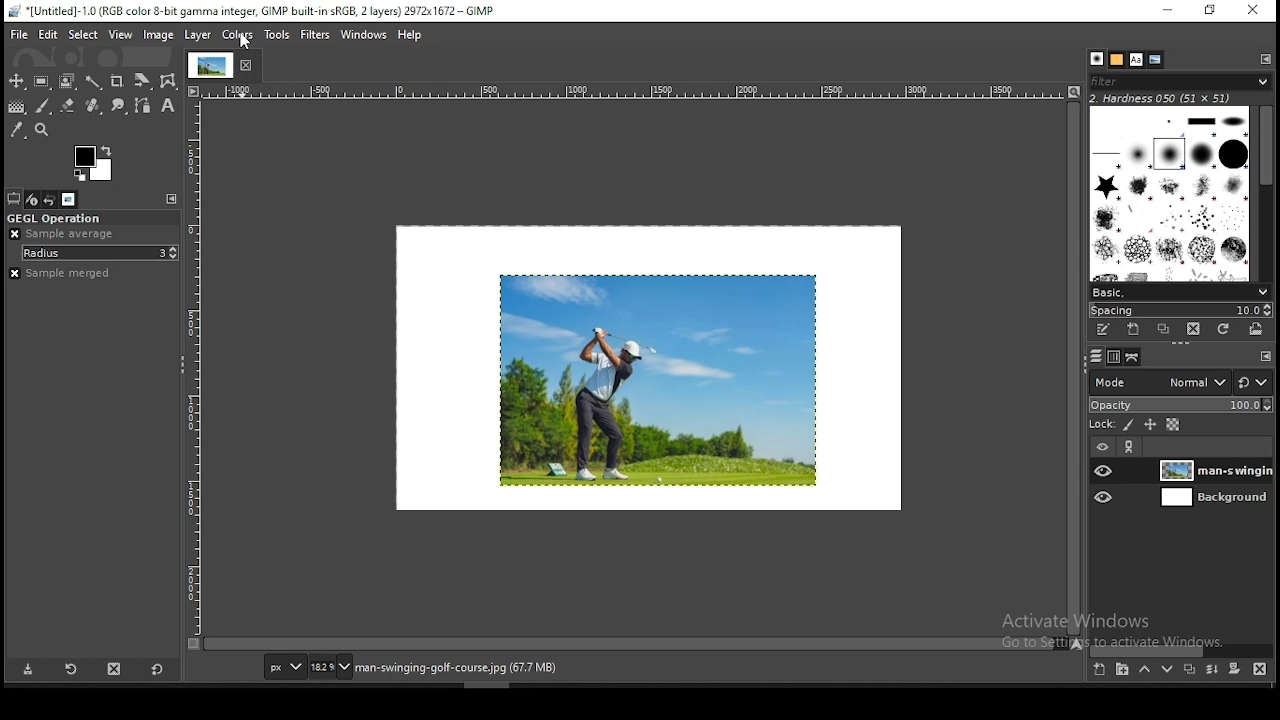  What do you see at coordinates (249, 70) in the screenshot?
I see `close` at bounding box center [249, 70].